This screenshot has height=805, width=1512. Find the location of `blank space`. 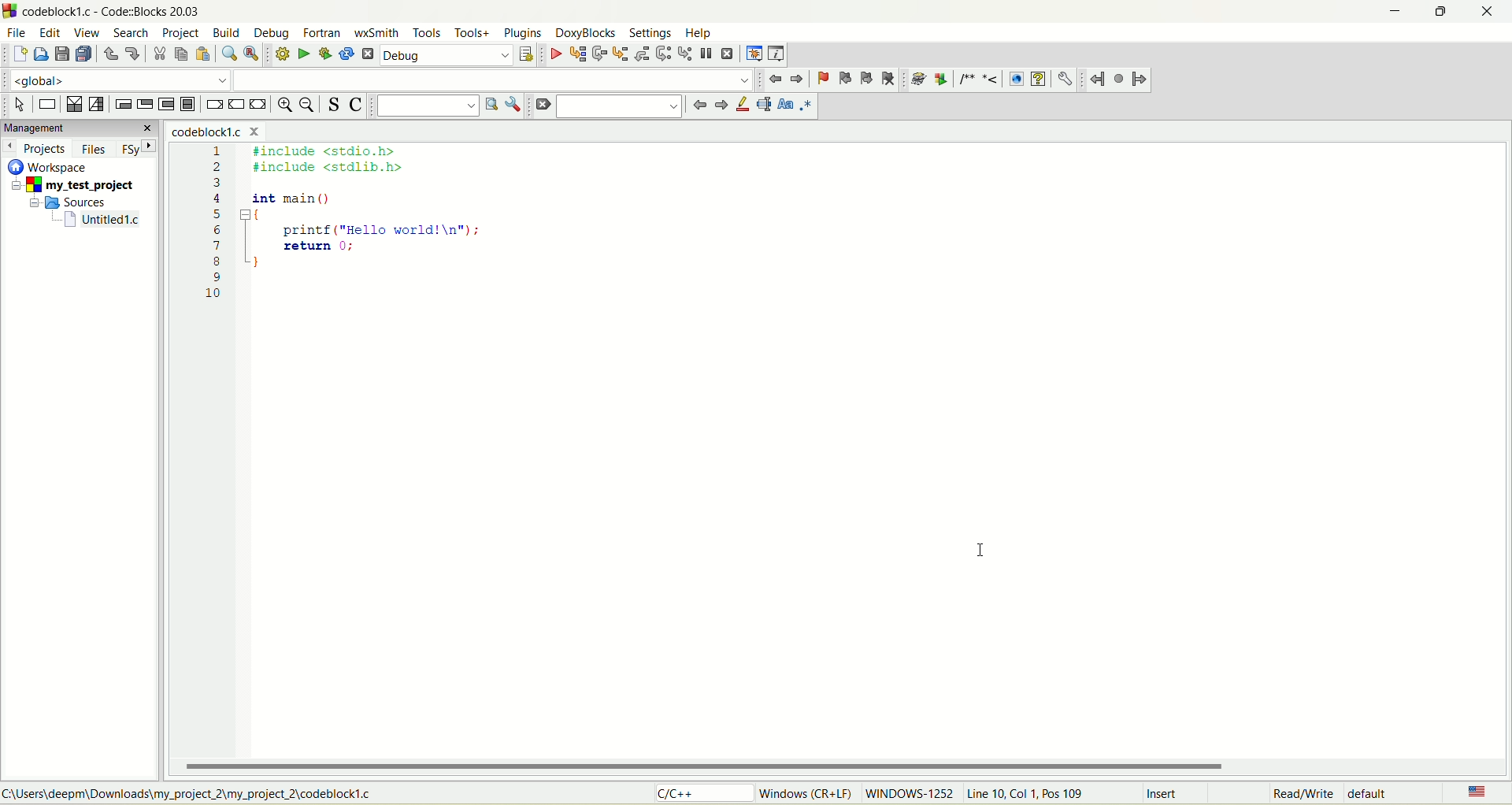

blank space is located at coordinates (620, 105).